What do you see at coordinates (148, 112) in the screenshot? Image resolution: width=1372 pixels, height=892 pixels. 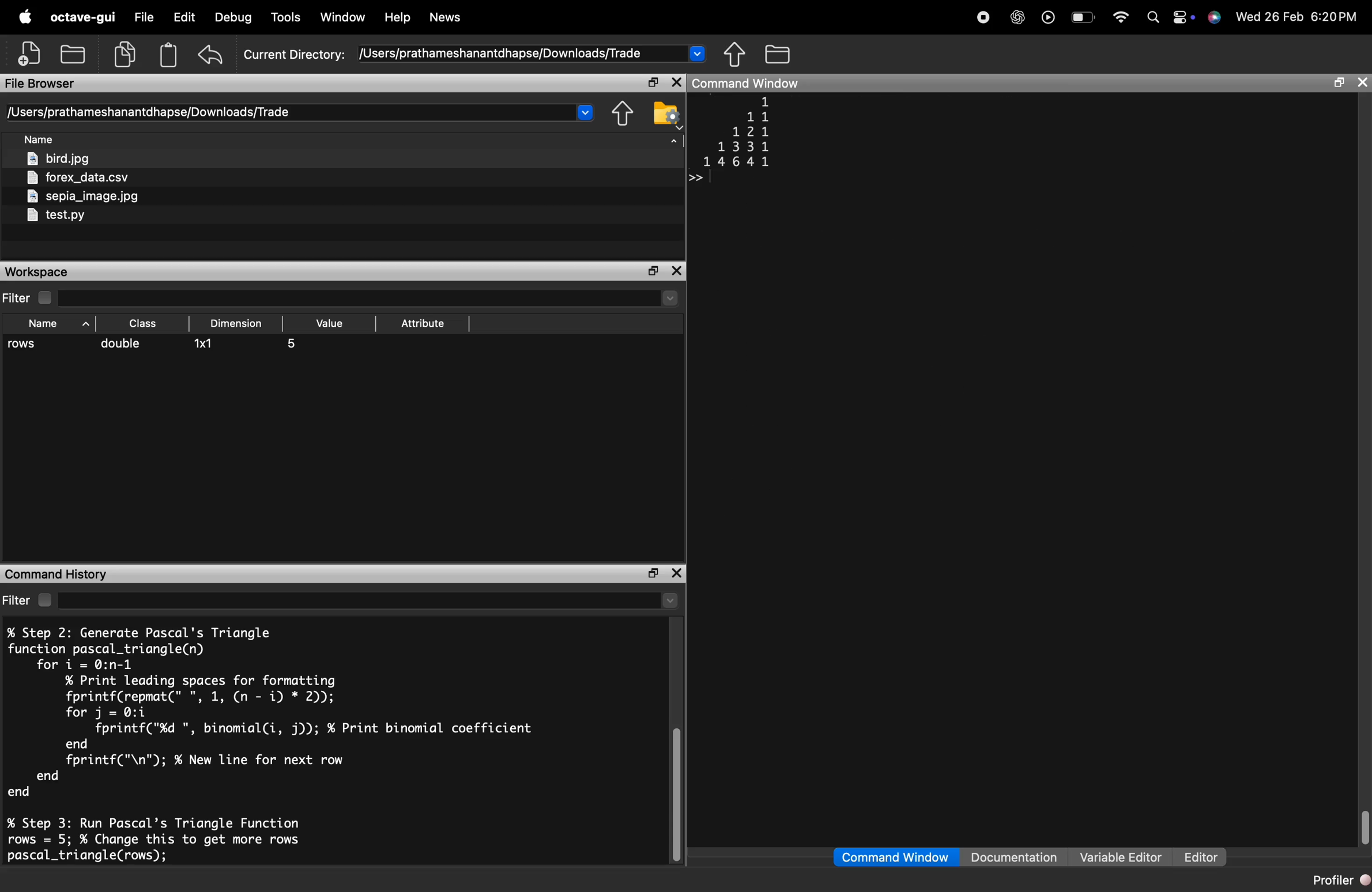 I see `/Users/prathameshanantdhapse/Downloads/Trade` at bounding box center [148, 112].